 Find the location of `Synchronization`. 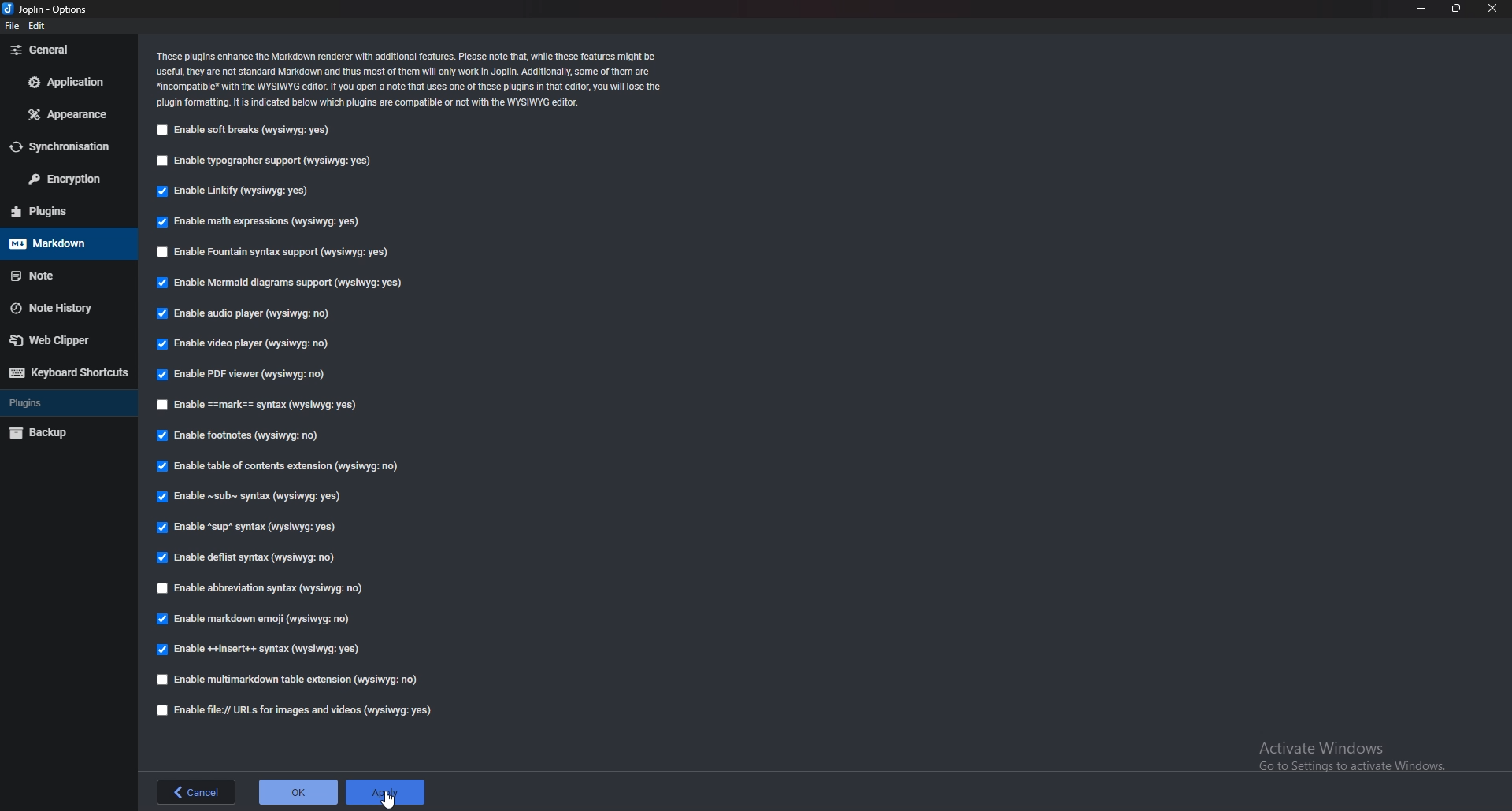

Synchronization is located at coordinates (62, 148).